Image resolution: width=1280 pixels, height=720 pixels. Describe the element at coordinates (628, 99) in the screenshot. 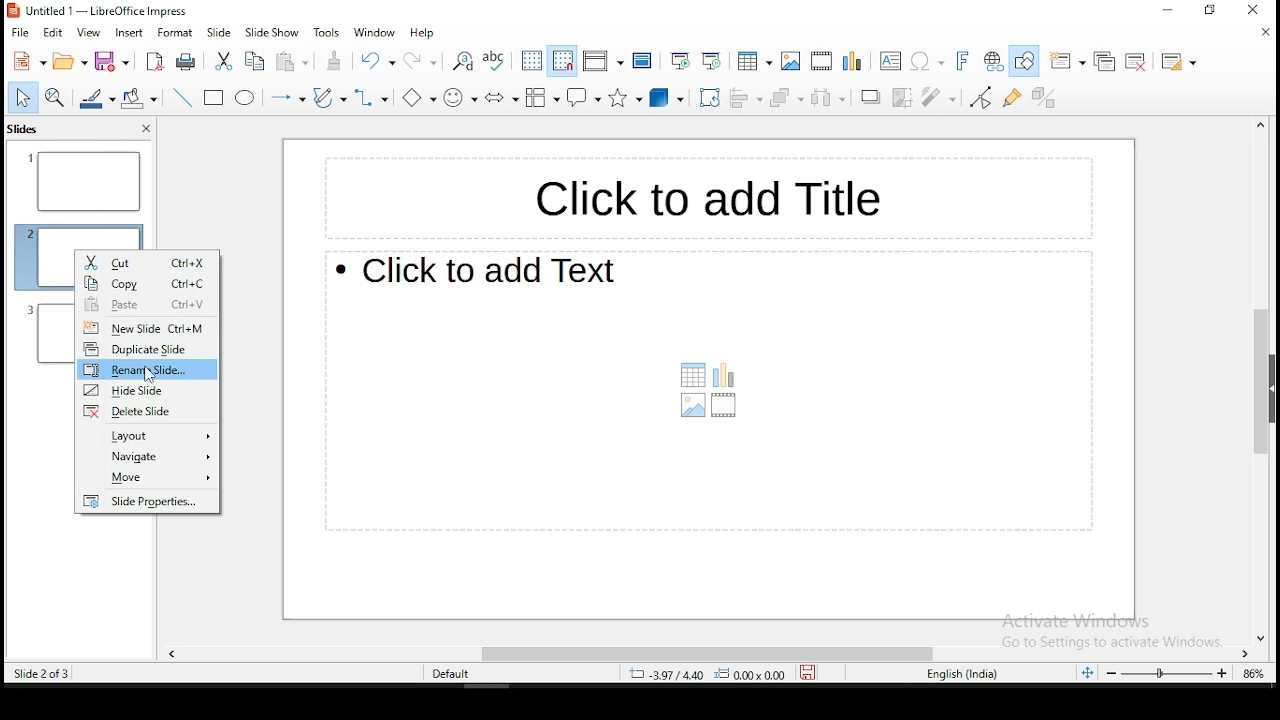

I see `stars and banners` at that location.